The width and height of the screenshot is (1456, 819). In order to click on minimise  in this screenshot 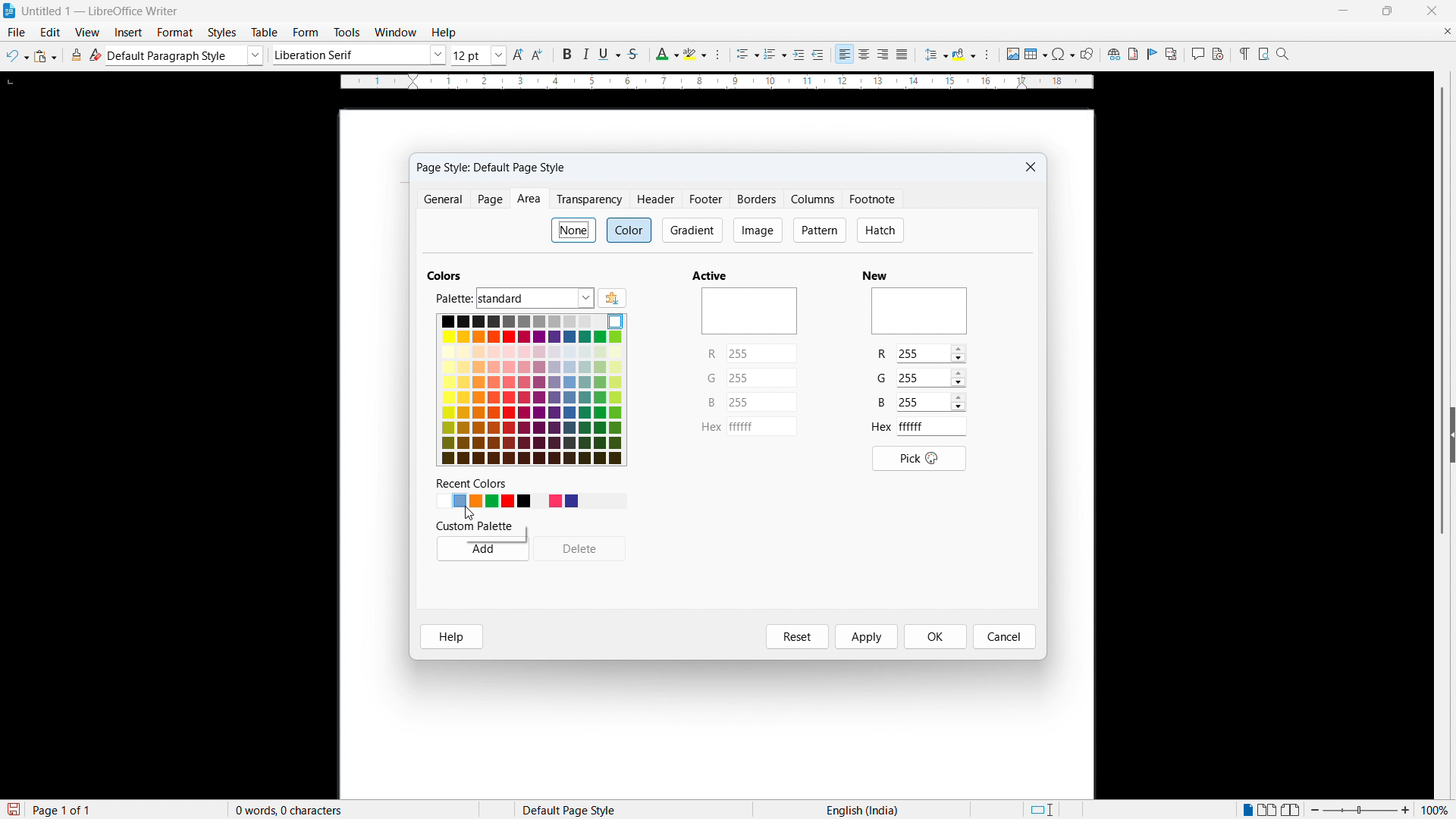, I will do `click(1342, 11)`.